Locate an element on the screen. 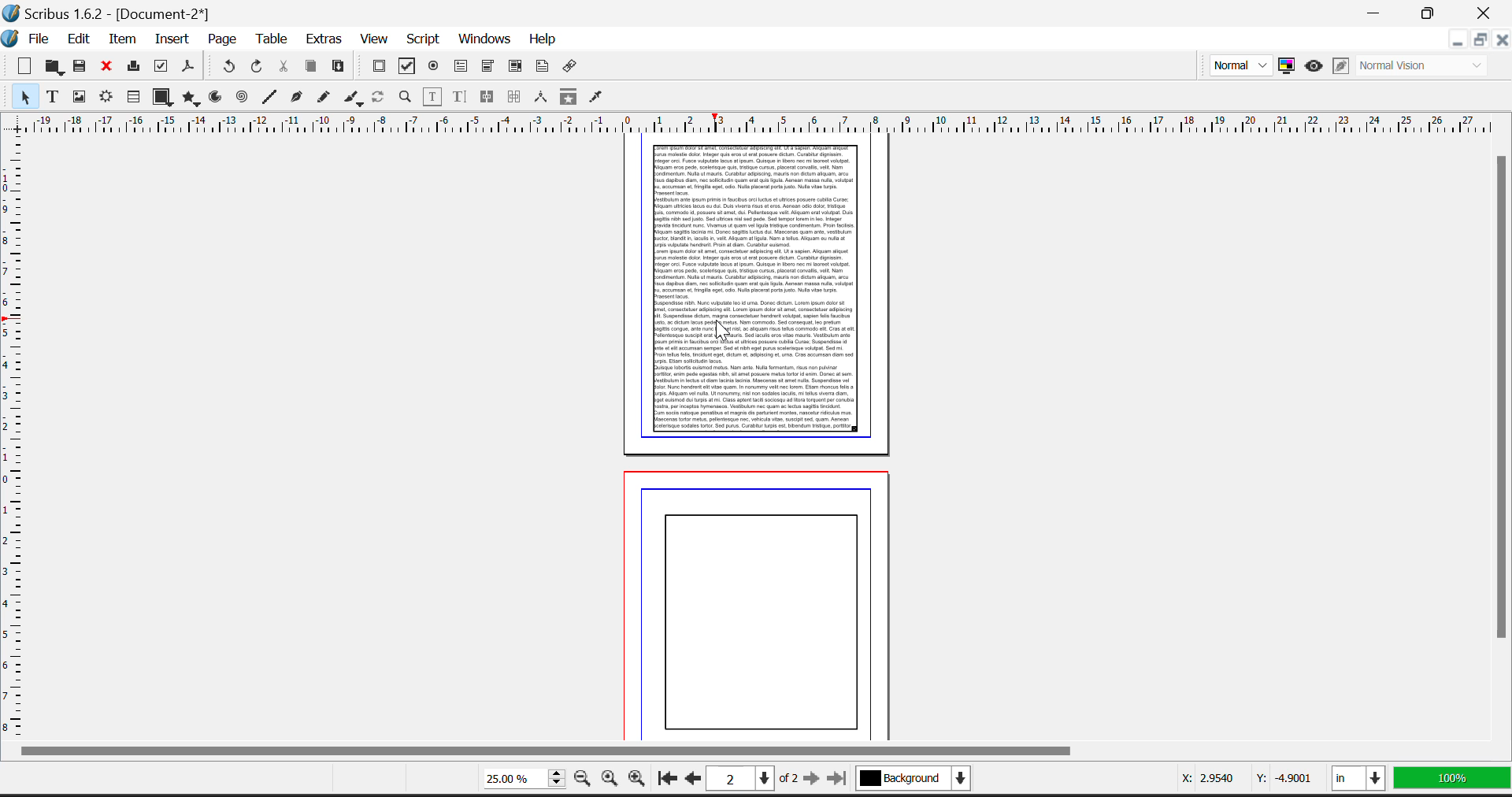  Paste is located at coordinates (339, 68).